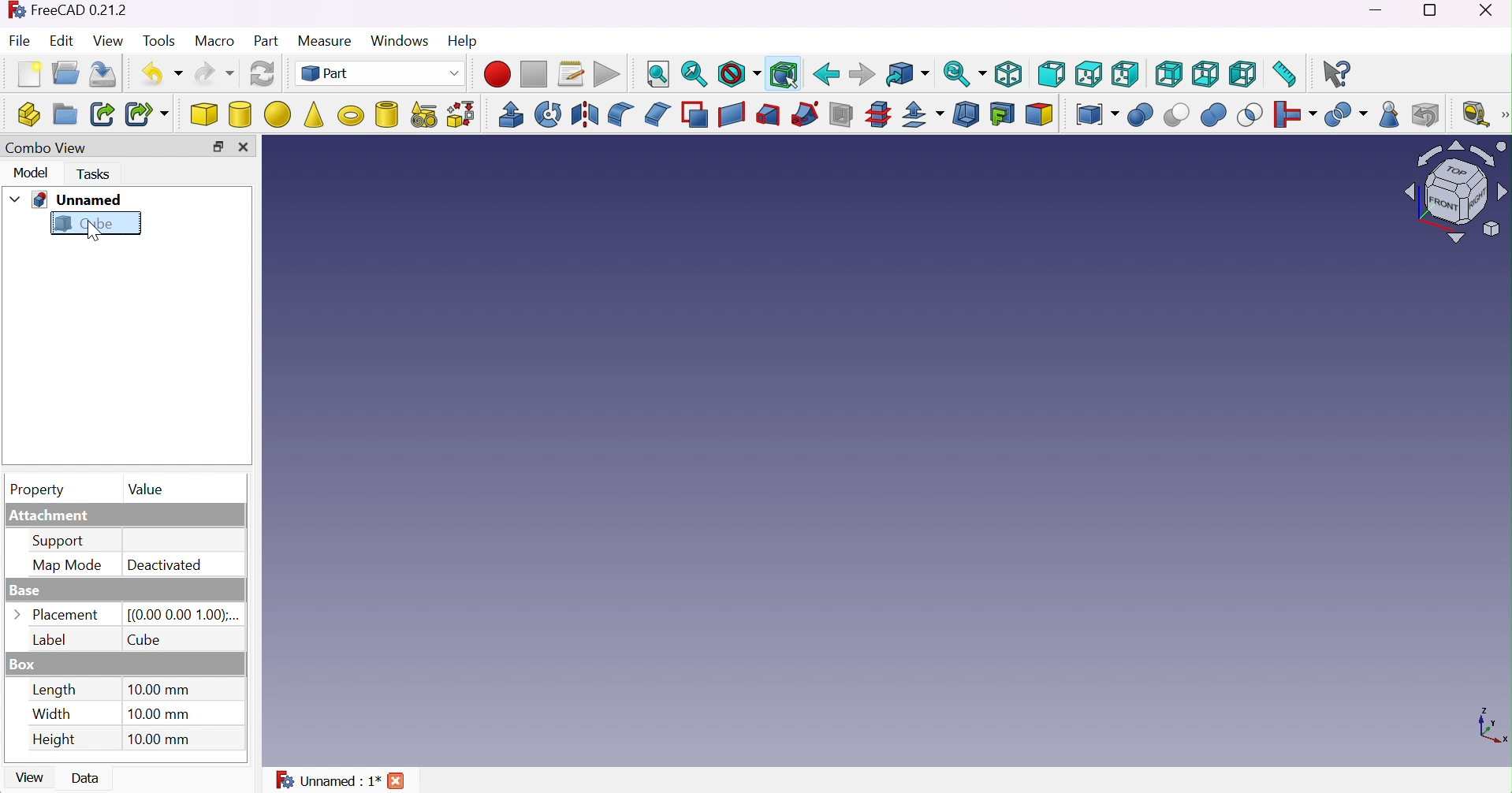  I want to click on Fit all, so click(657, 75).